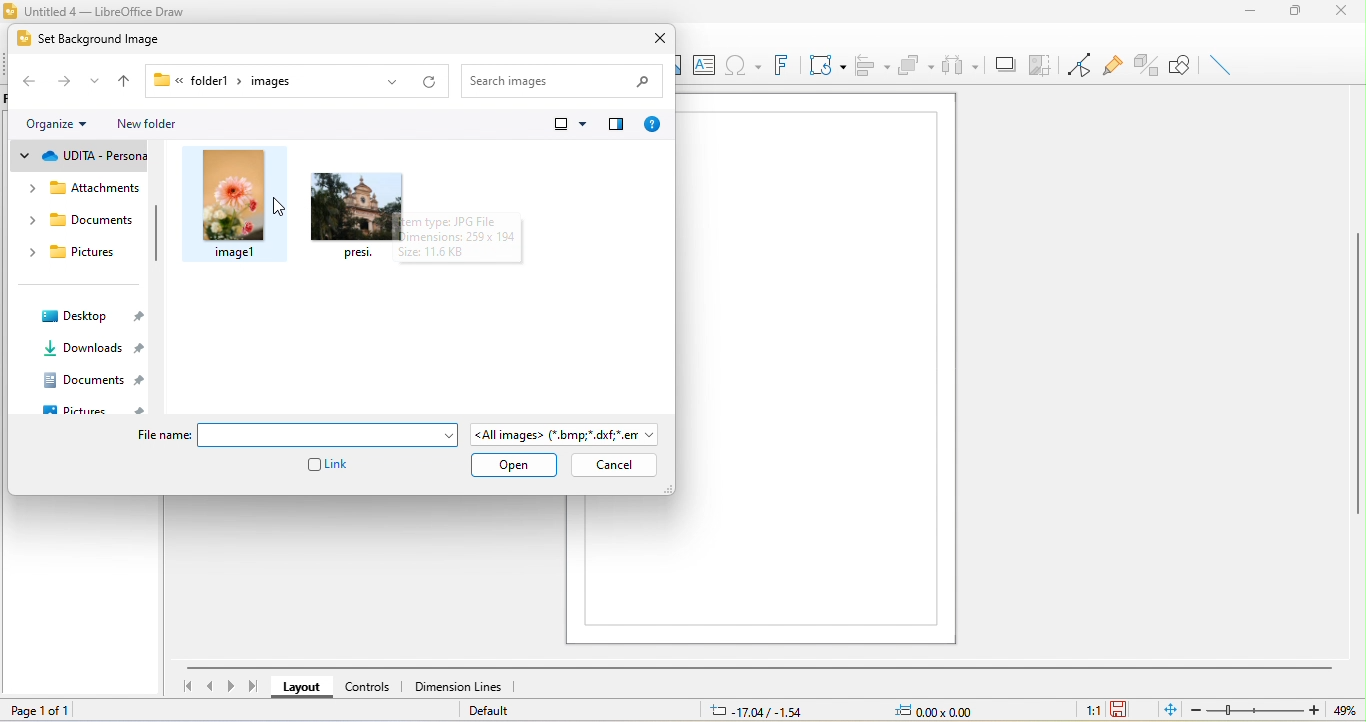 The width and height of the screenshot is (1366, 722). I want to click on toggle extrusion, so click(1146, 64).